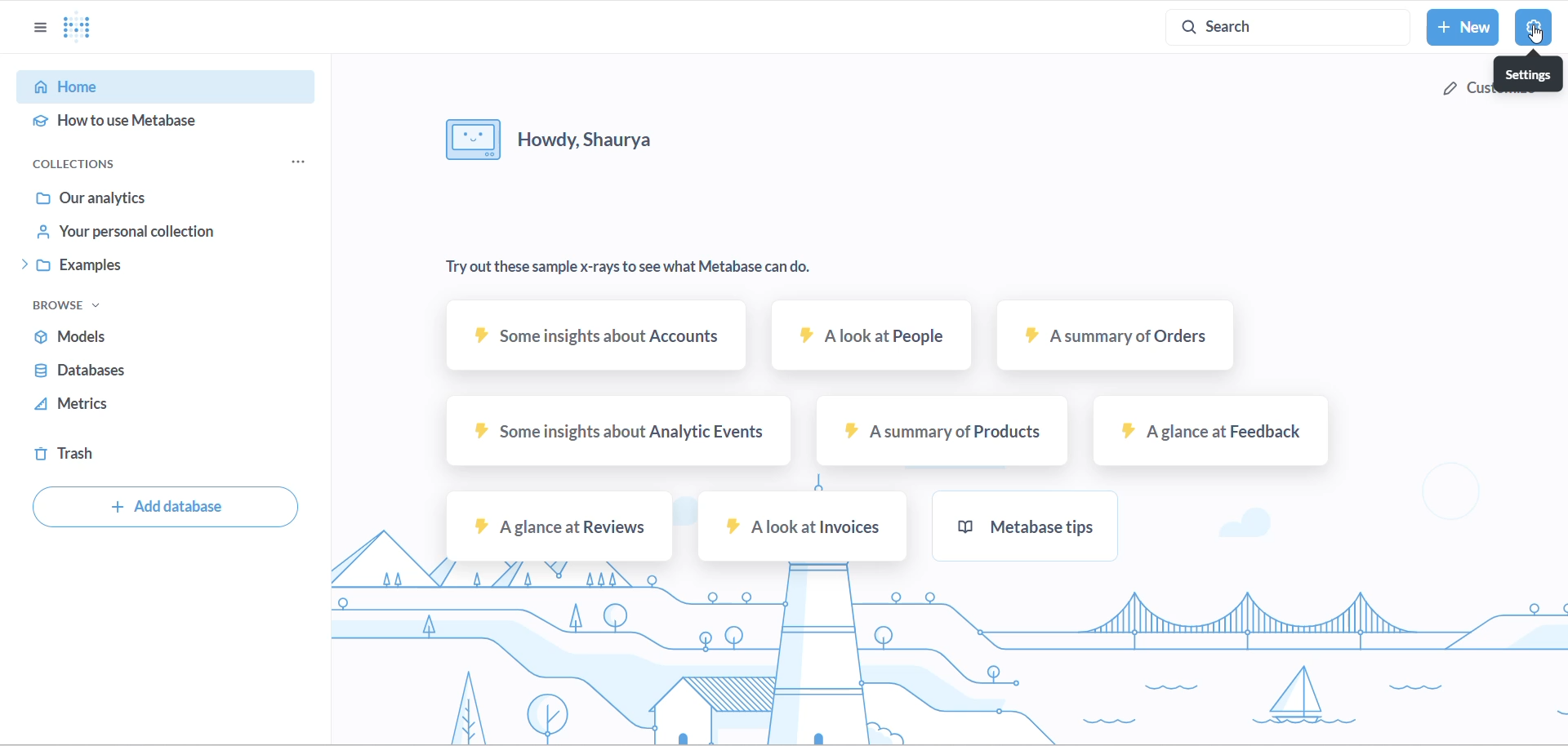  What do you see at coordinates (99, 457) in the screenshot?
I see `TRASH` at bounding box center [99, 457].